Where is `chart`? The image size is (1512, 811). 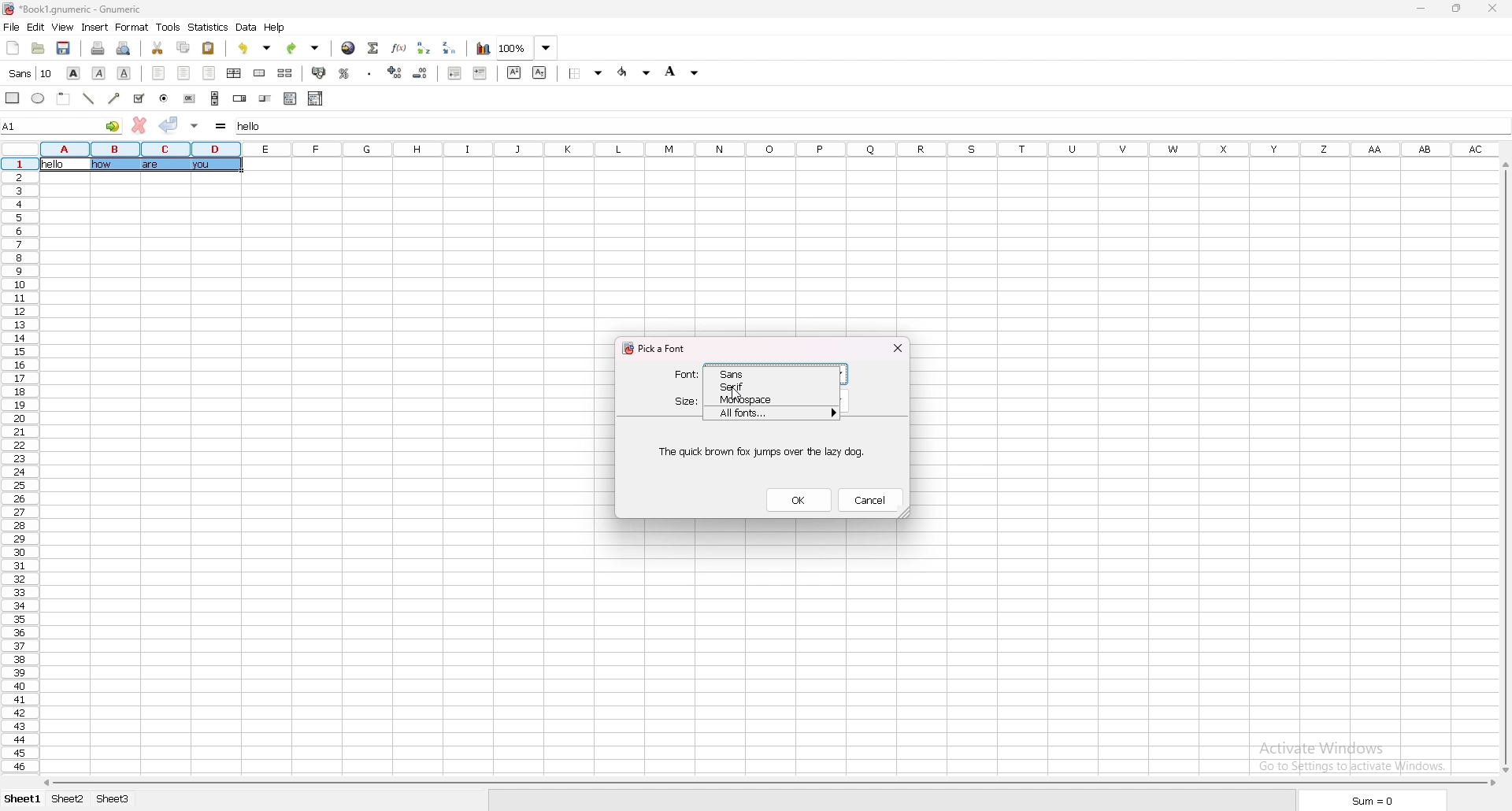
chart is located at coordinates (484, 48).